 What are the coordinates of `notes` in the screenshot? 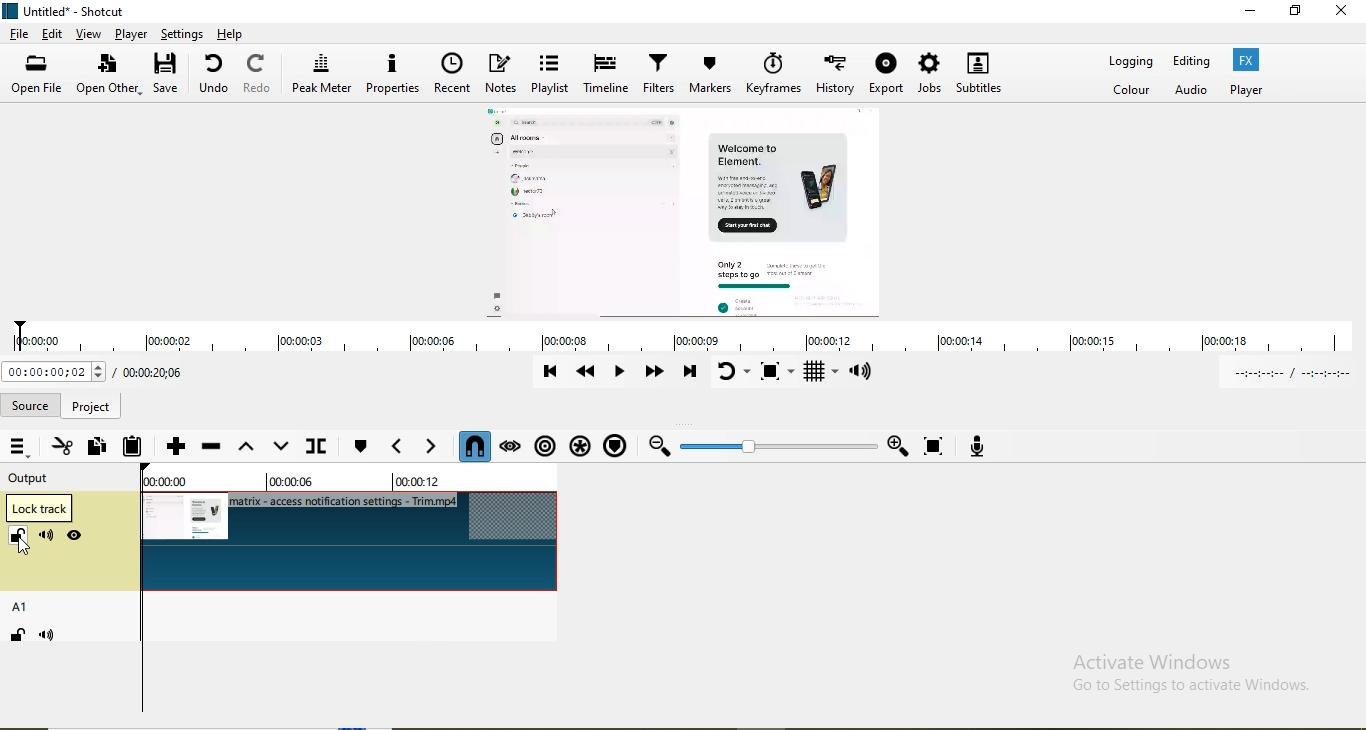 It's located at (501, 76).